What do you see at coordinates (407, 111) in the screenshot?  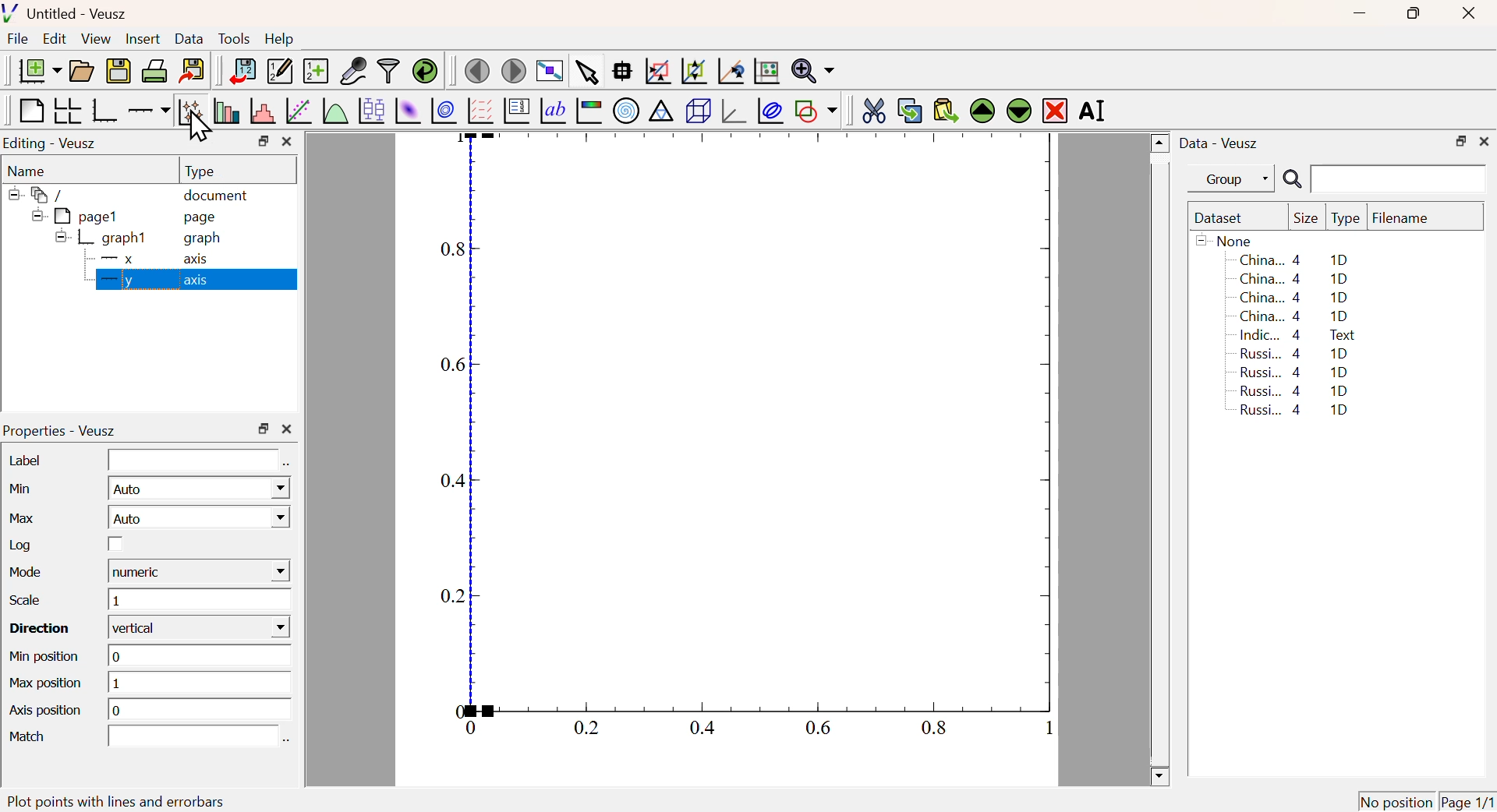 I see `Plot 2D set as image` at bounding box center [407, 111].